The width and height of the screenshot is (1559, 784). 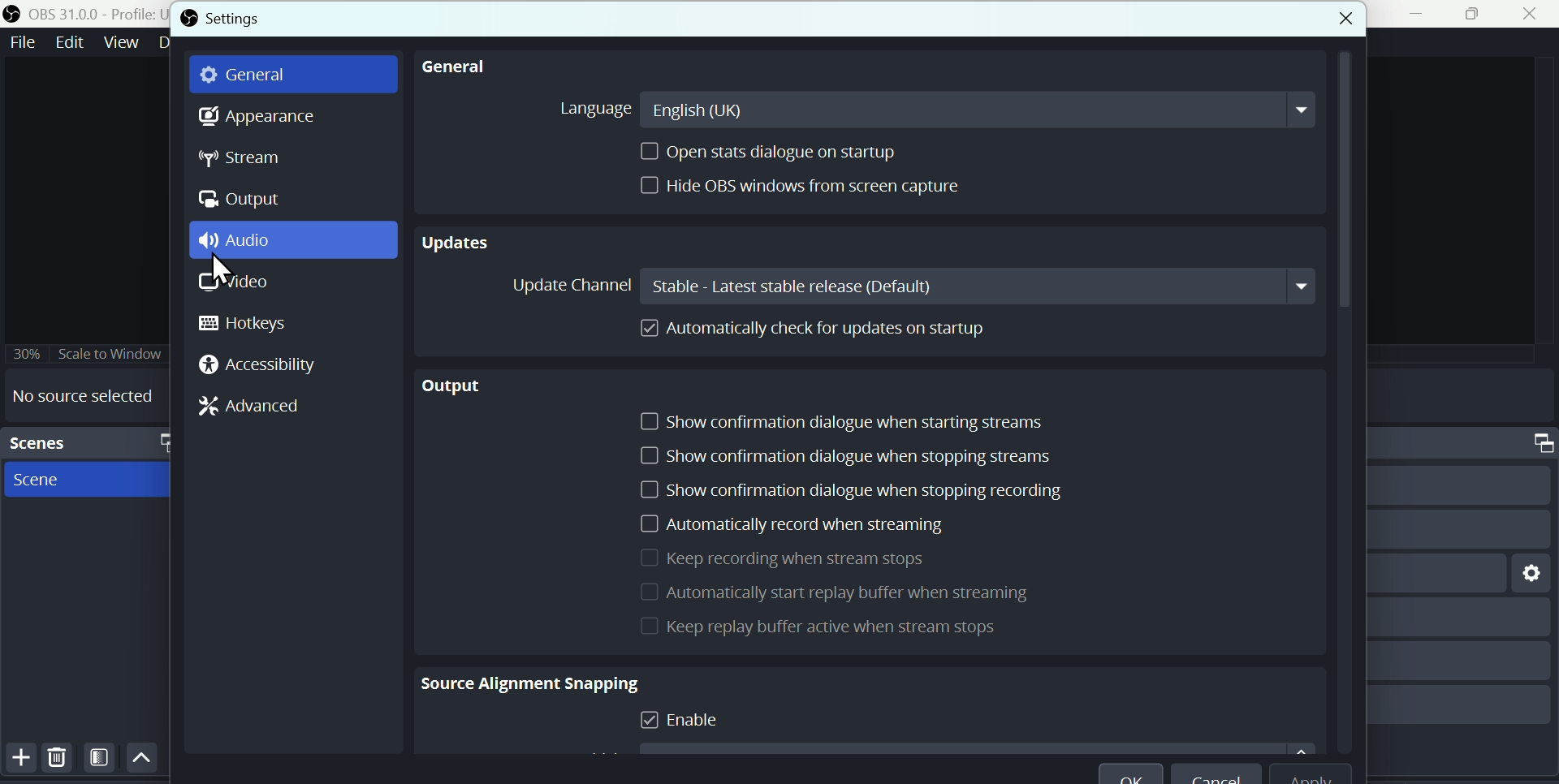 What do you see at coordinates (141, 759) in the screenshot?
I see `Up` at bounding box center [141, 759].